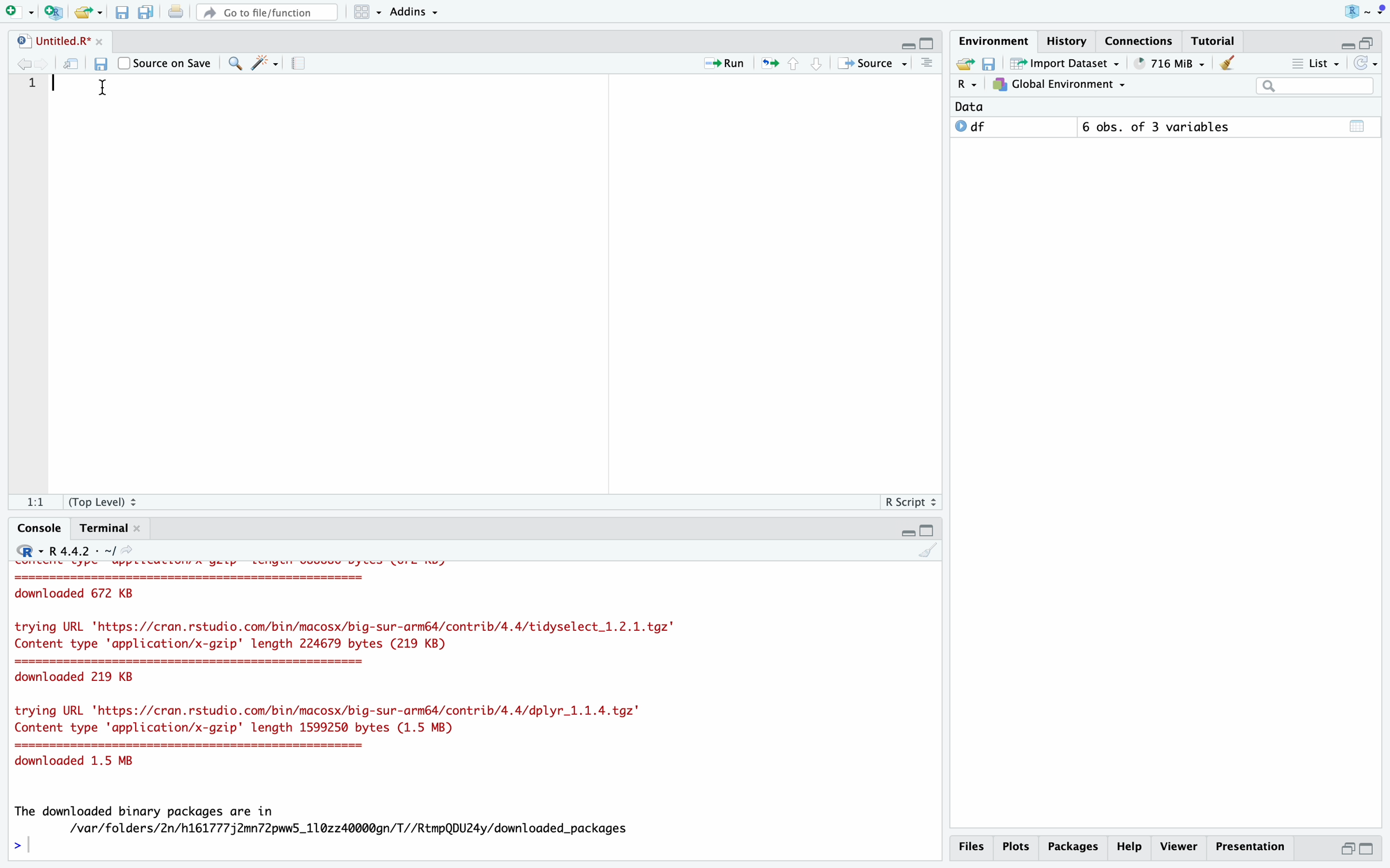 Image resolution: width=1390 pixels, height=868 pixels. Describe the element at coordinates (722, 64) in the screenshot. I see `Run current line` at that location.